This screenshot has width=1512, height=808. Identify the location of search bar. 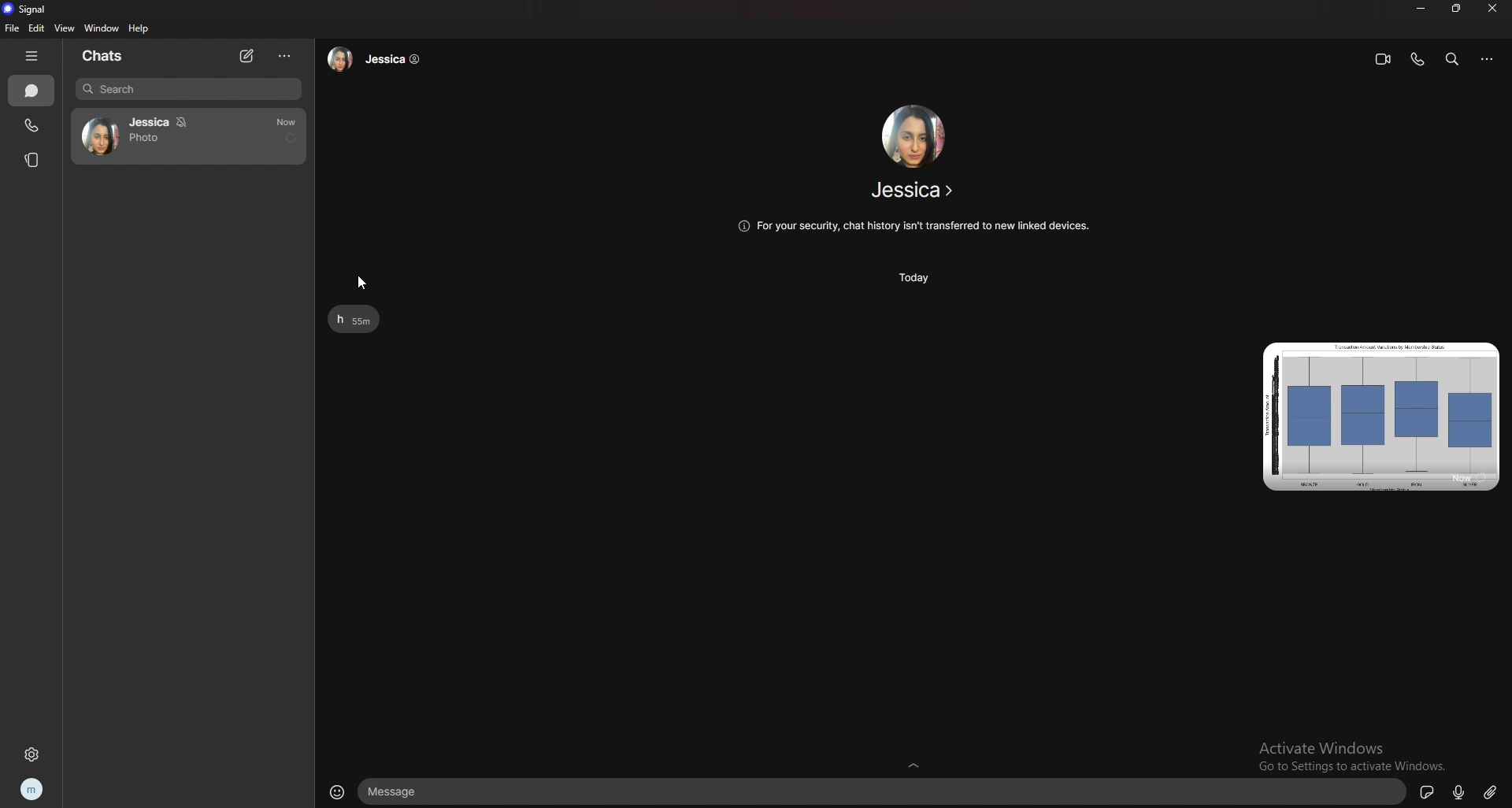
(1453, 59).